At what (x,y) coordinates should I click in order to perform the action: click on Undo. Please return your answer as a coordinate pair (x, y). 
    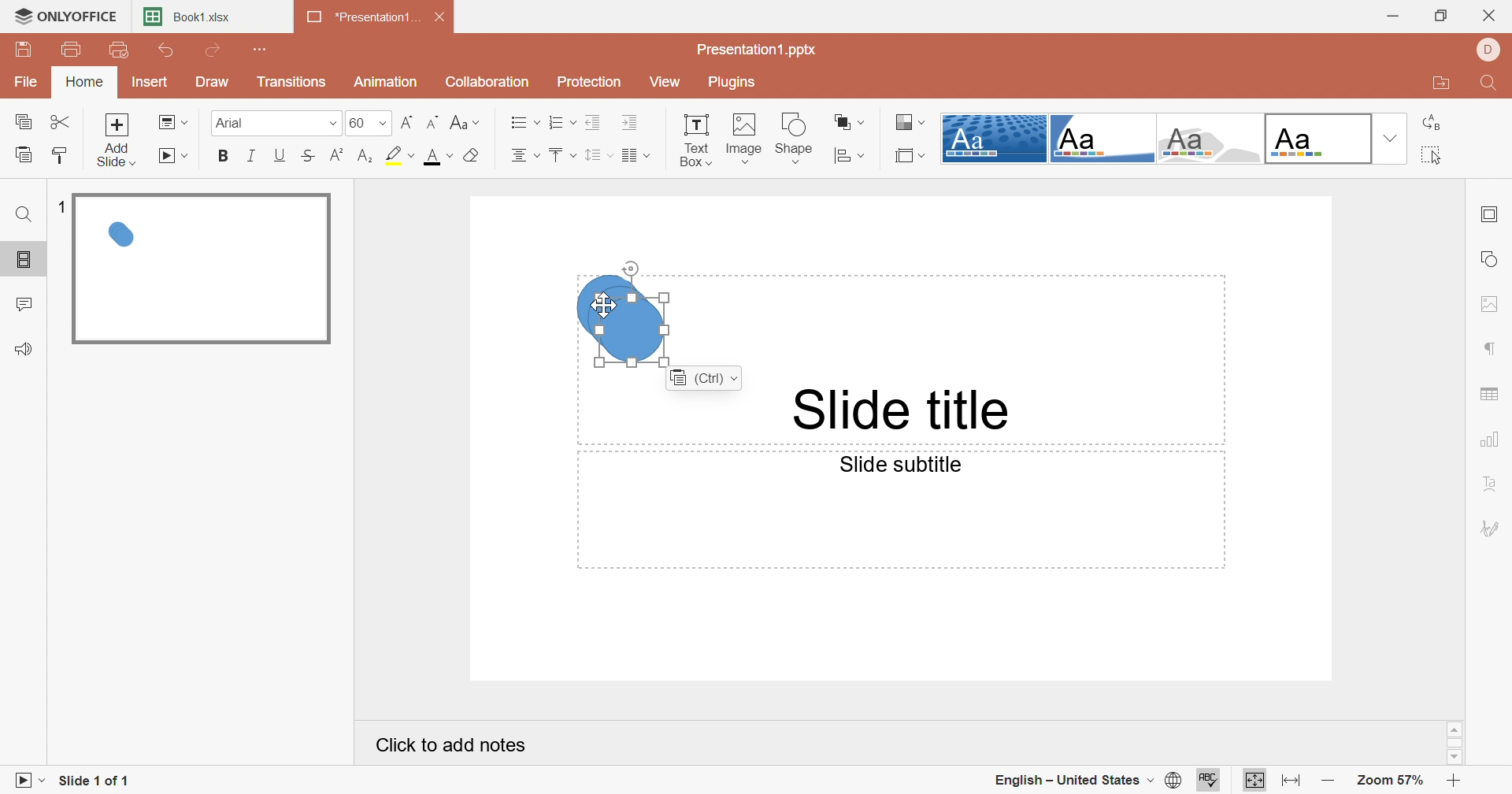
    Looking at the image, I should click on (169, 50).